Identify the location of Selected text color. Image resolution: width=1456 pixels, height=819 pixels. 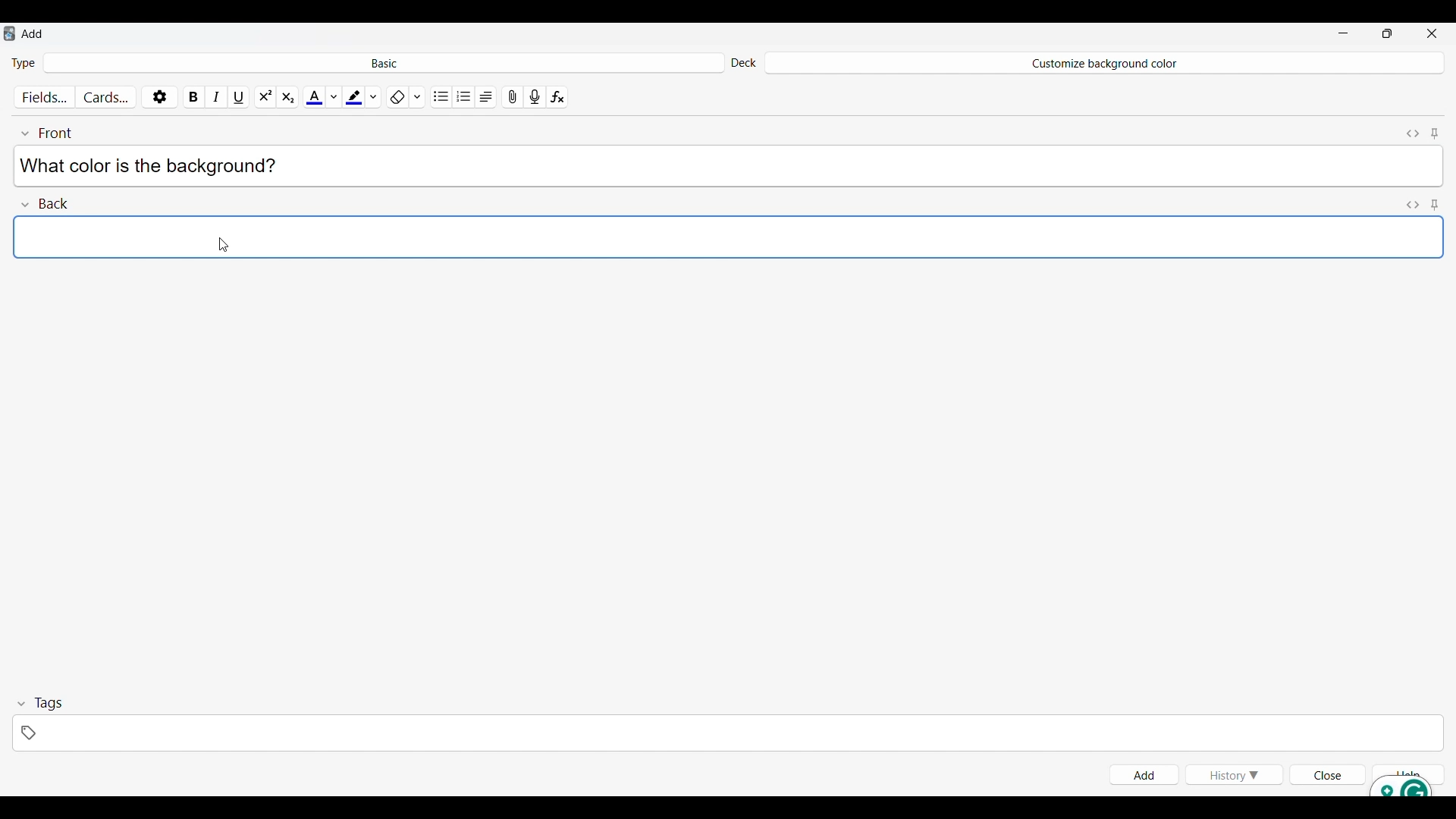
(313, 95).